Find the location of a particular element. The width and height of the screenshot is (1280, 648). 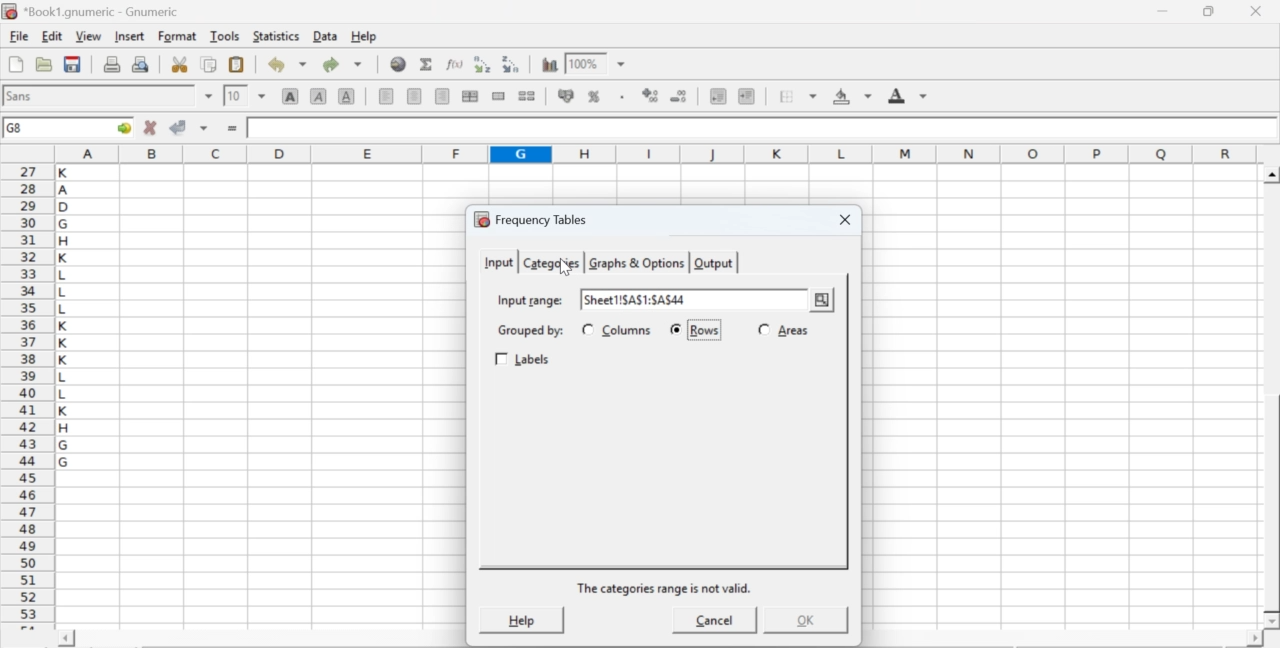

cancel changes is located at coordinates (151, 127).